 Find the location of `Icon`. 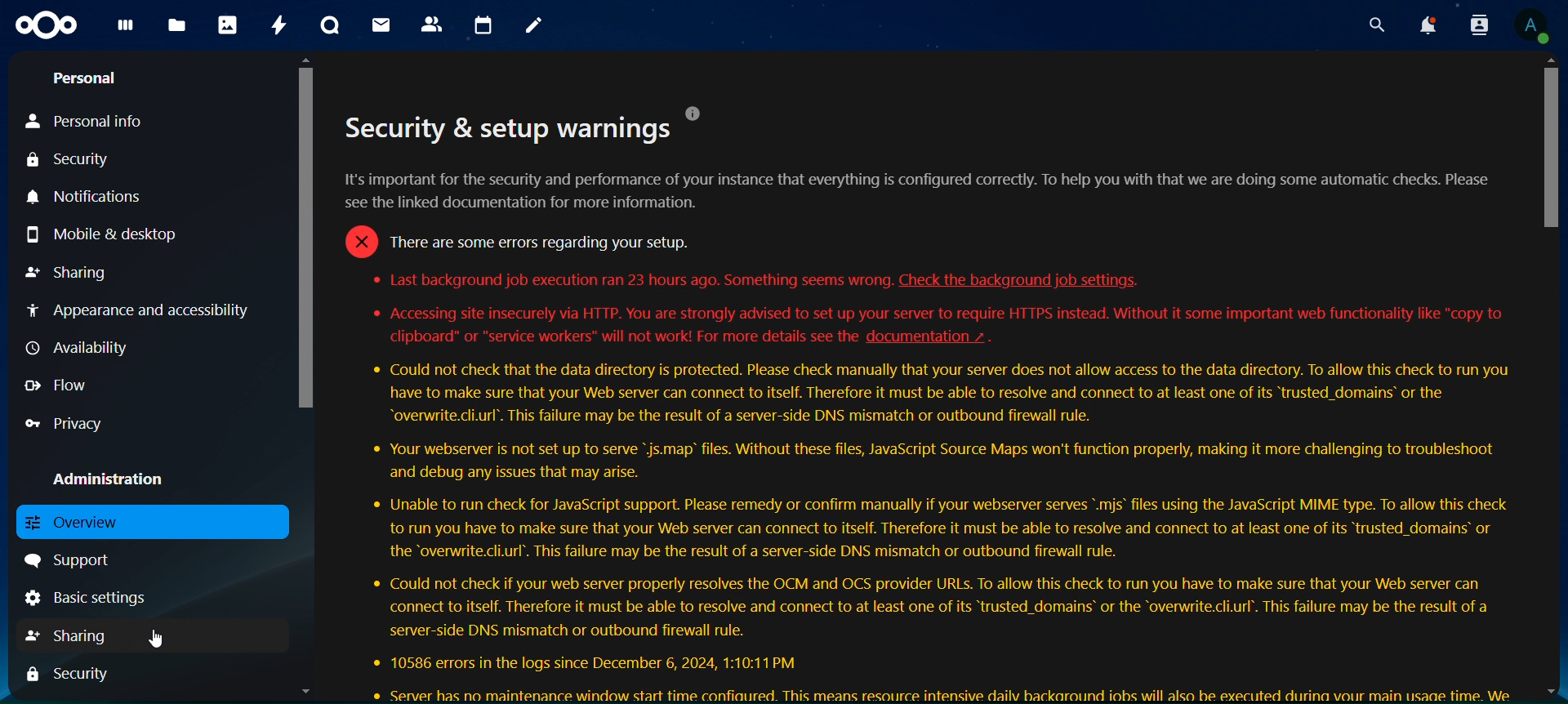

Icon is located at coordinates (43, 25).